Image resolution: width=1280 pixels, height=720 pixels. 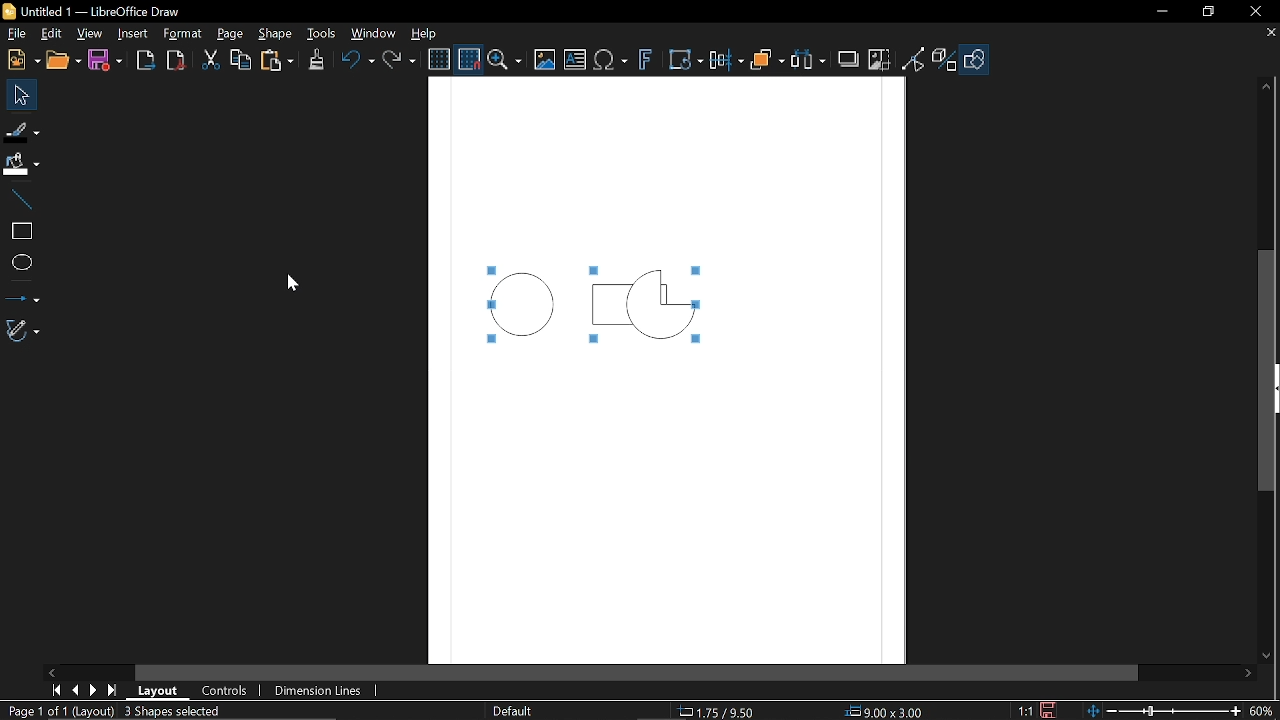 I want to click on Slide master name, so click(x=510, y=711).